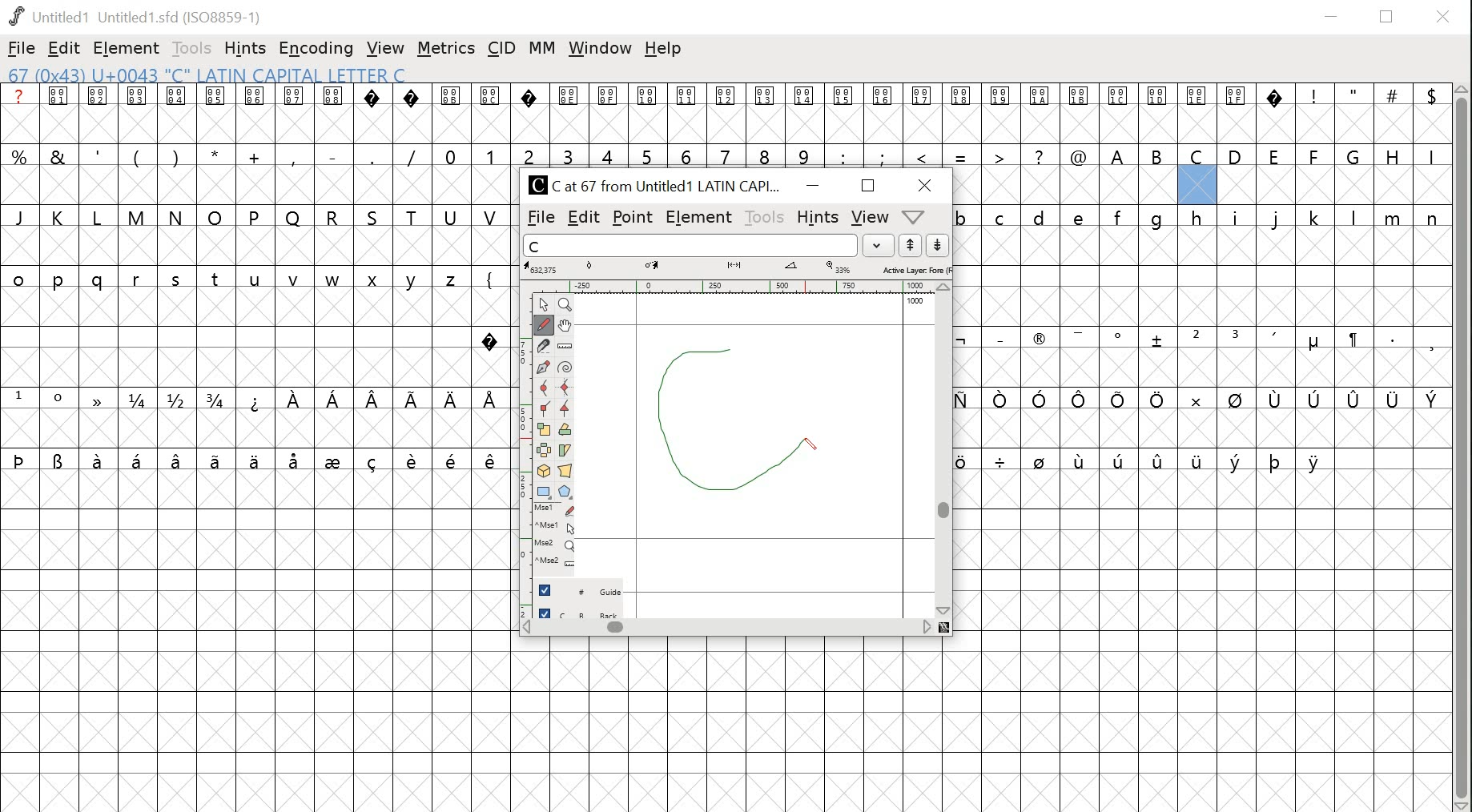 The width and height of the screenshot is (1472, 812). I want to click on file, so click(537, 218).